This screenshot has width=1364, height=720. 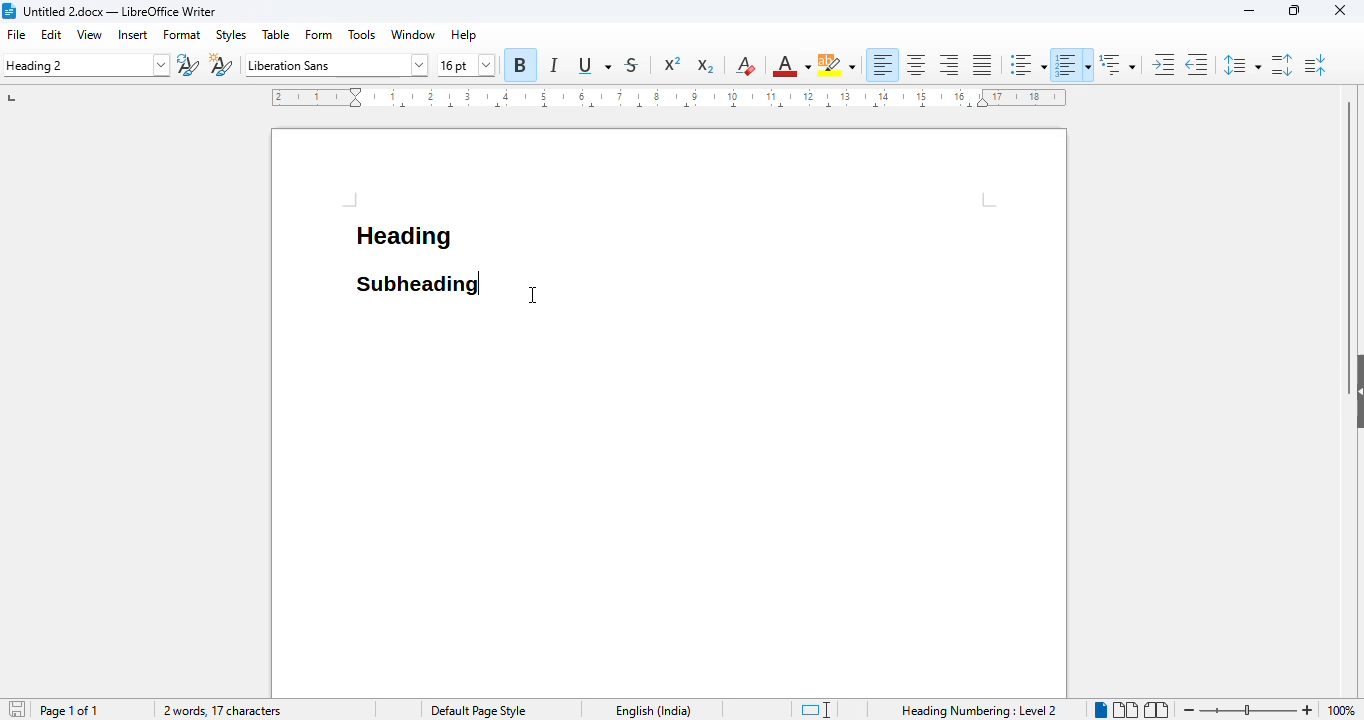 I want to click on insert, so click(x=133, y=35).